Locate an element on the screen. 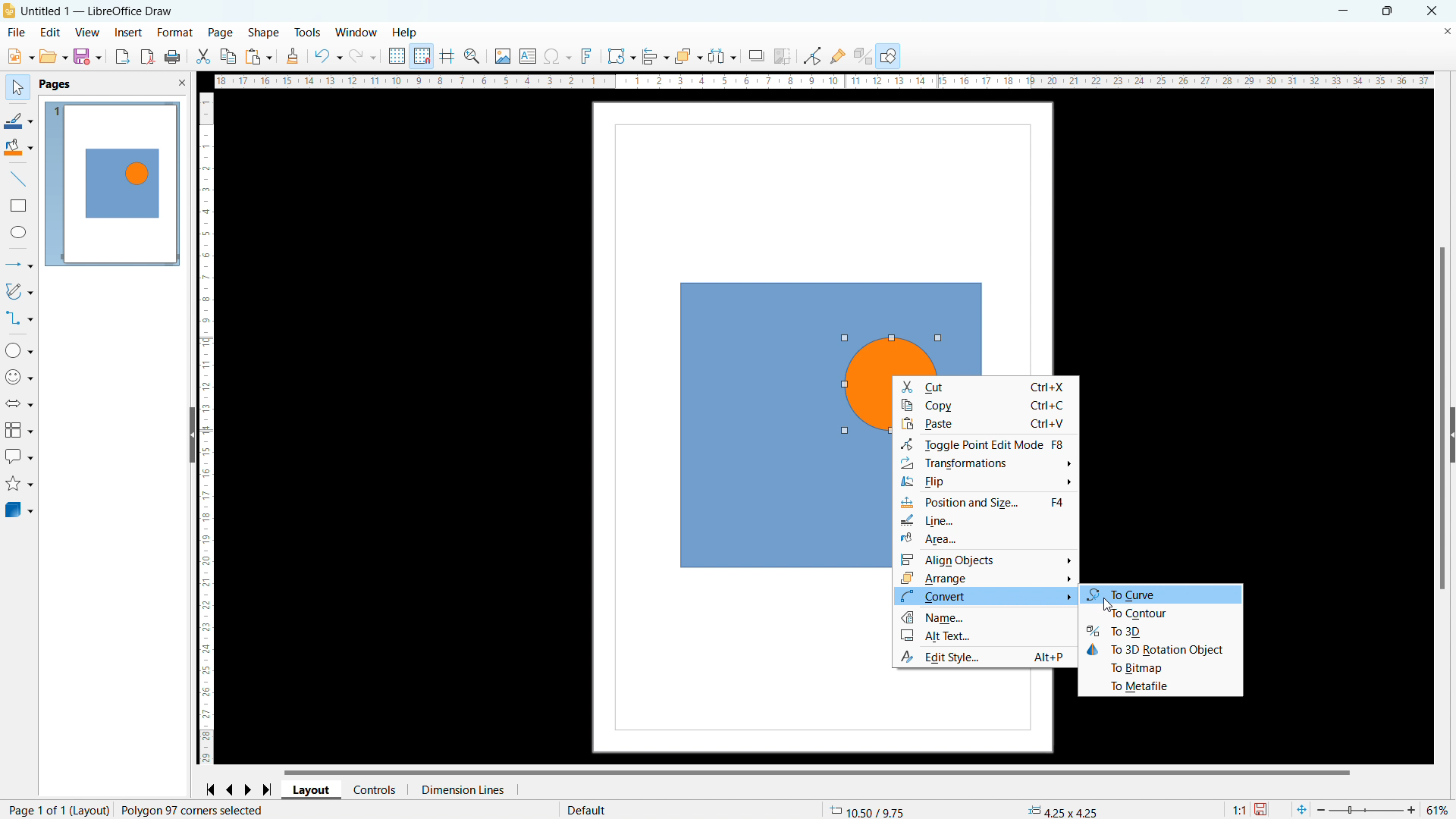 Image resolution: width=1456 pixels, height=819 pixels. rectangle tool is located at coordinates (19, 206).